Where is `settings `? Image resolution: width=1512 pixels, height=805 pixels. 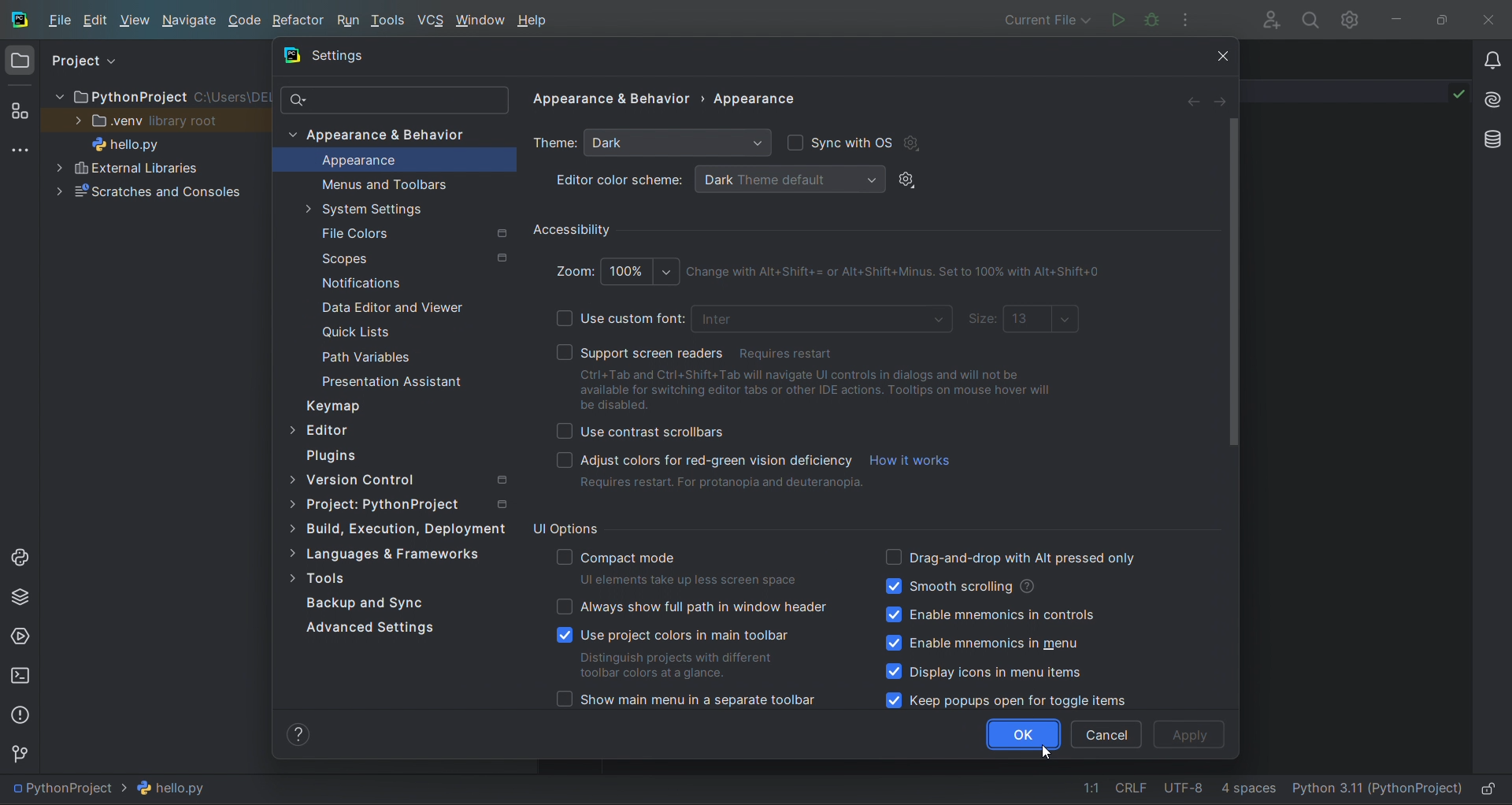 settings  is located at coordinates (664, 99).